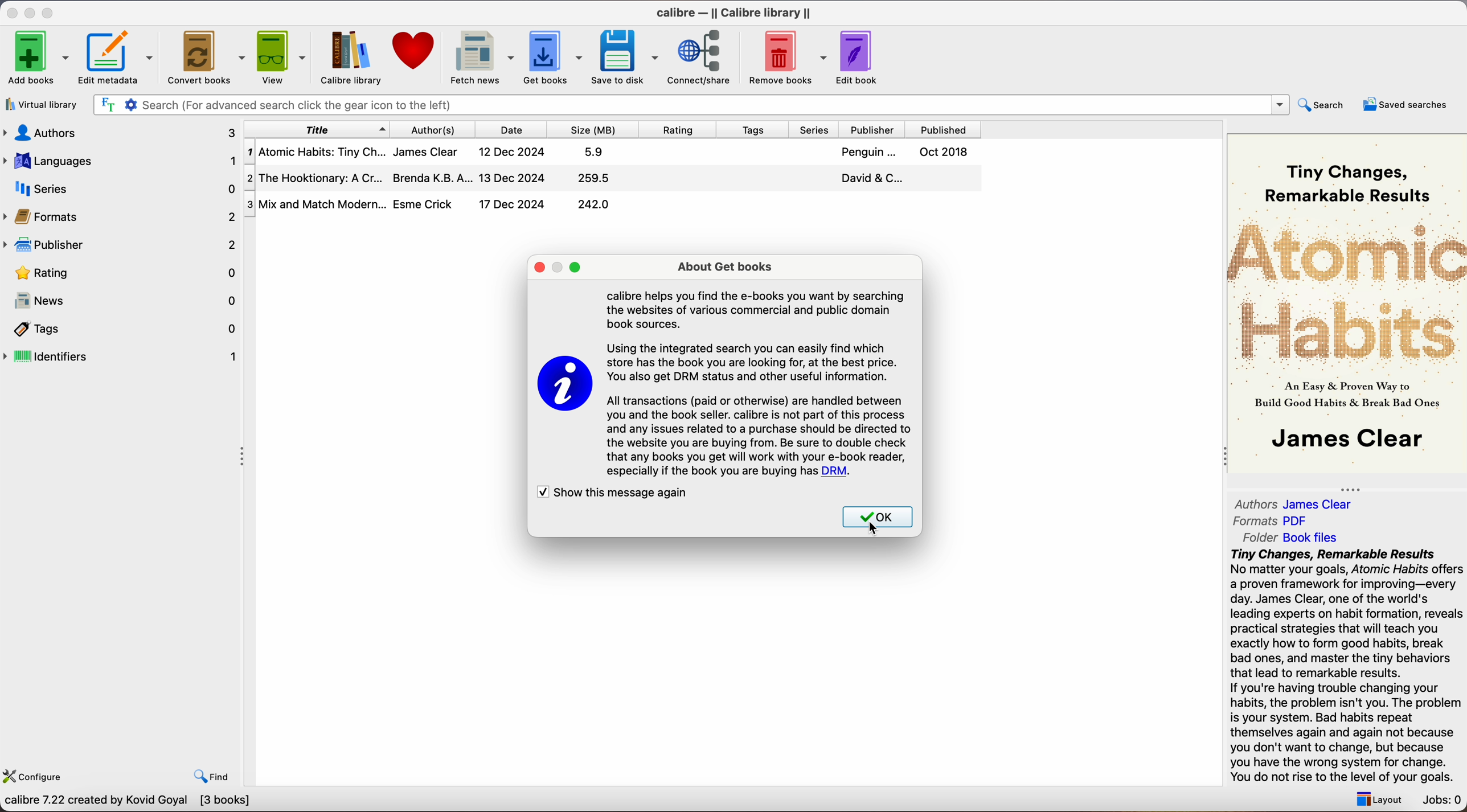 This screenshot has height=812, width=1467. What do you see at coordinates (514, 153) in the screenshot?
I see `12 Dec 2024` at bounding box center [514, 153].